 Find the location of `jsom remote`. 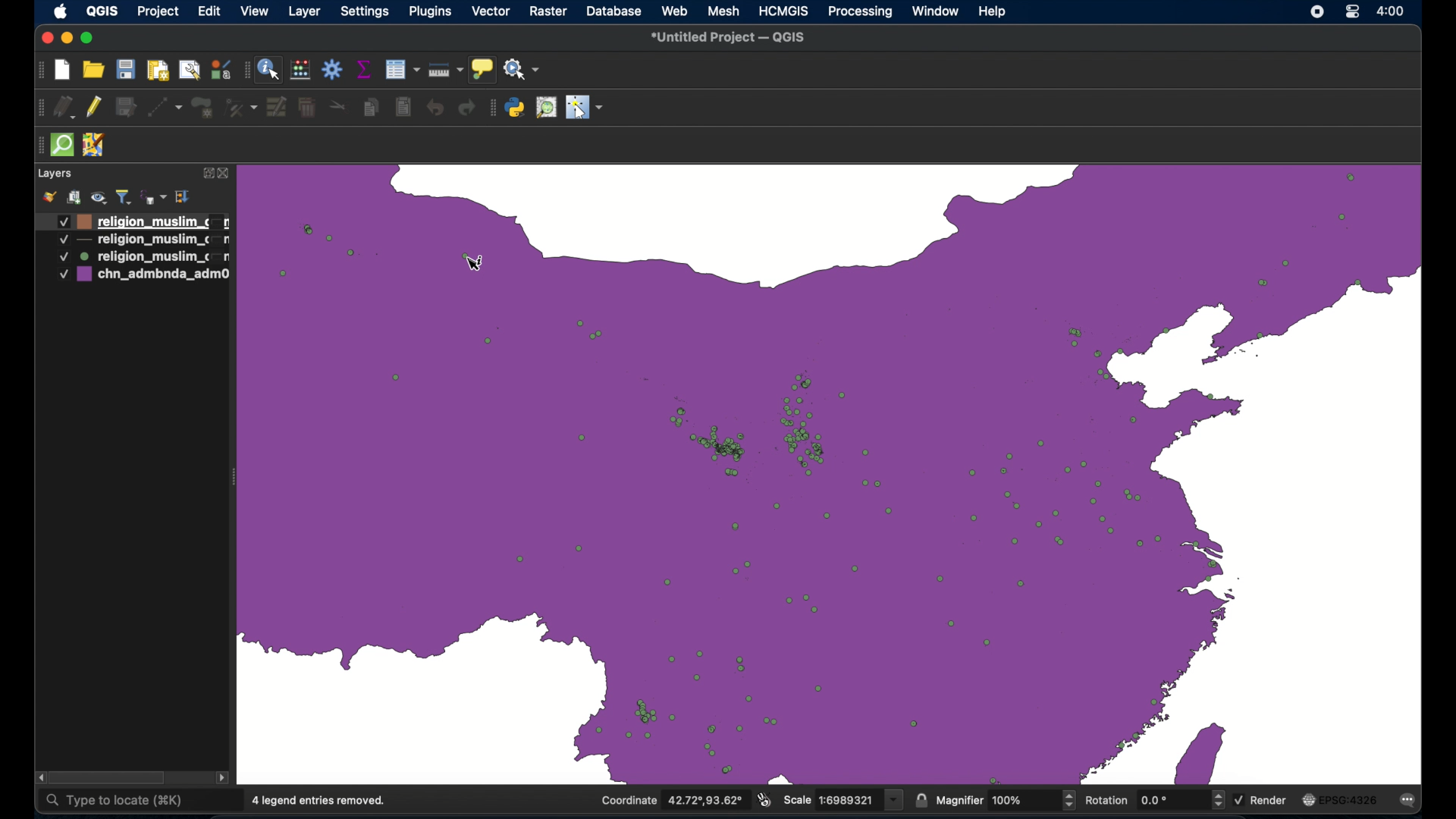

jsom remote is located at coordinates (96, 146).